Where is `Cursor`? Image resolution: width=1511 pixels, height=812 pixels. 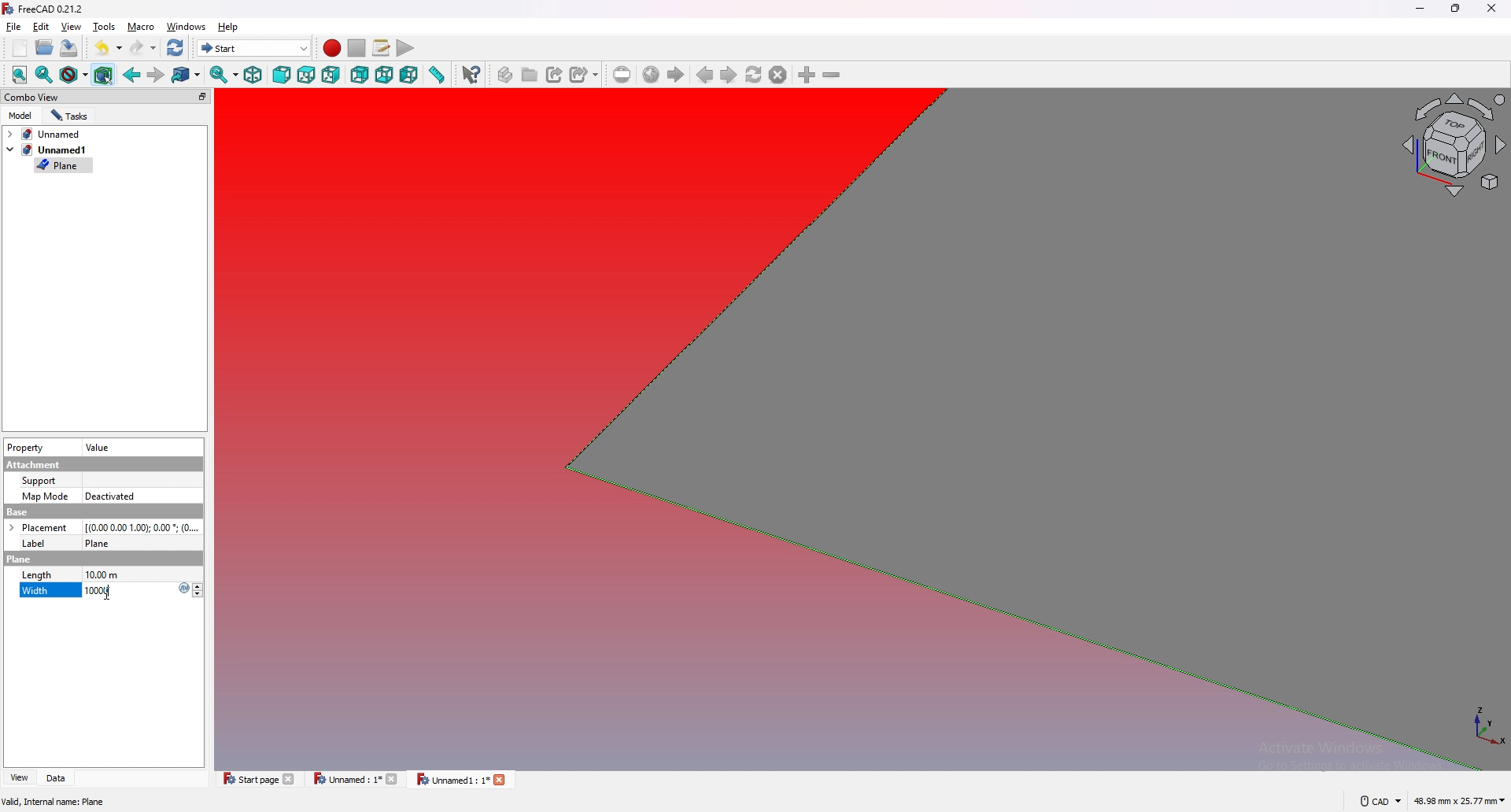
Cursor is located at coordinates (108, 591).